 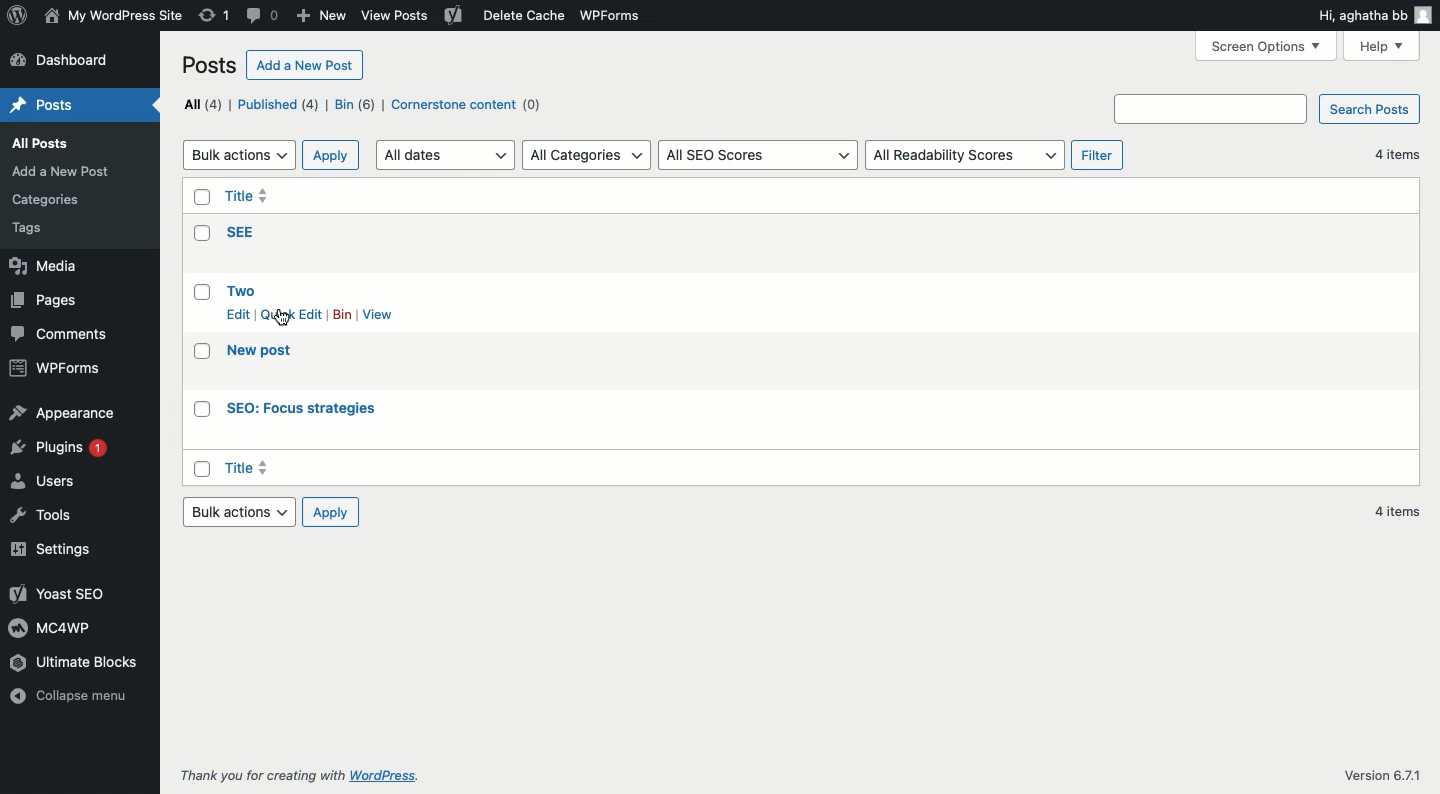 I want to click on Title, so click(x=249, y=198).